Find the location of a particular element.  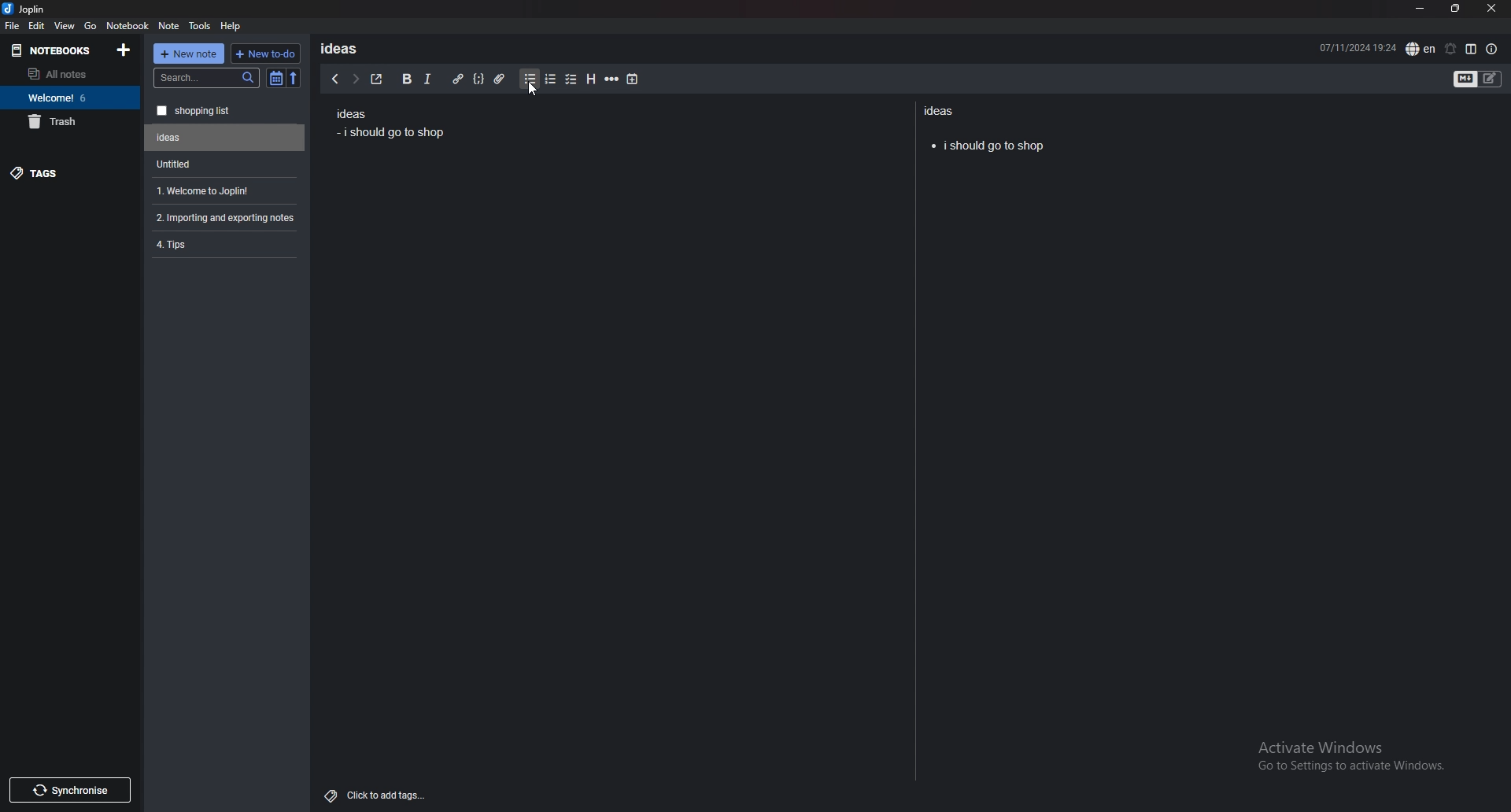

close is located at coordinates (1491, 9).